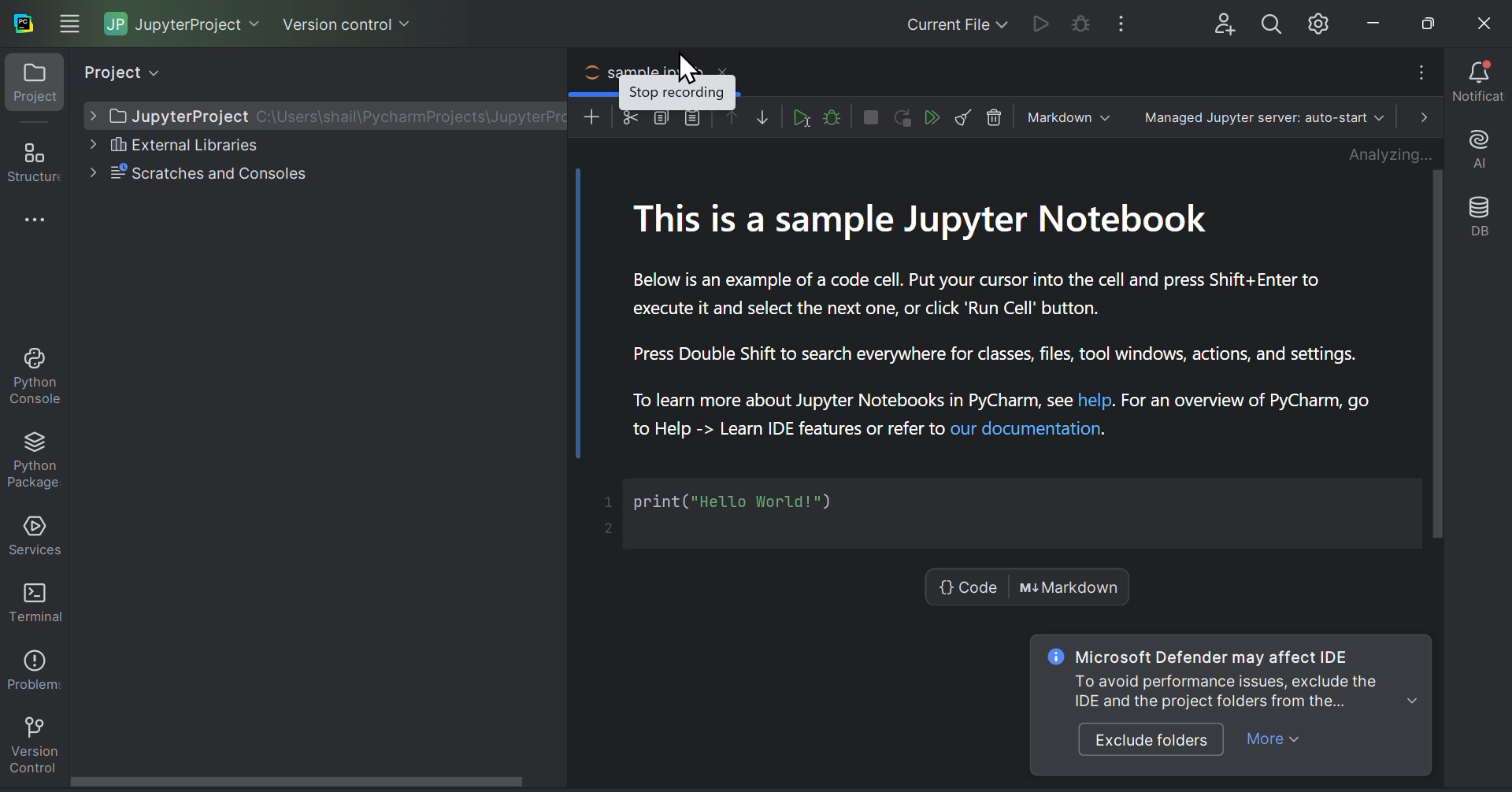 Image resolution: width=1512 pixels, height=792 pixels. What do you see at coordinates (328, 114) in the screenshot?
I see `Jupiter notebook` at bounding box center [328, 114].